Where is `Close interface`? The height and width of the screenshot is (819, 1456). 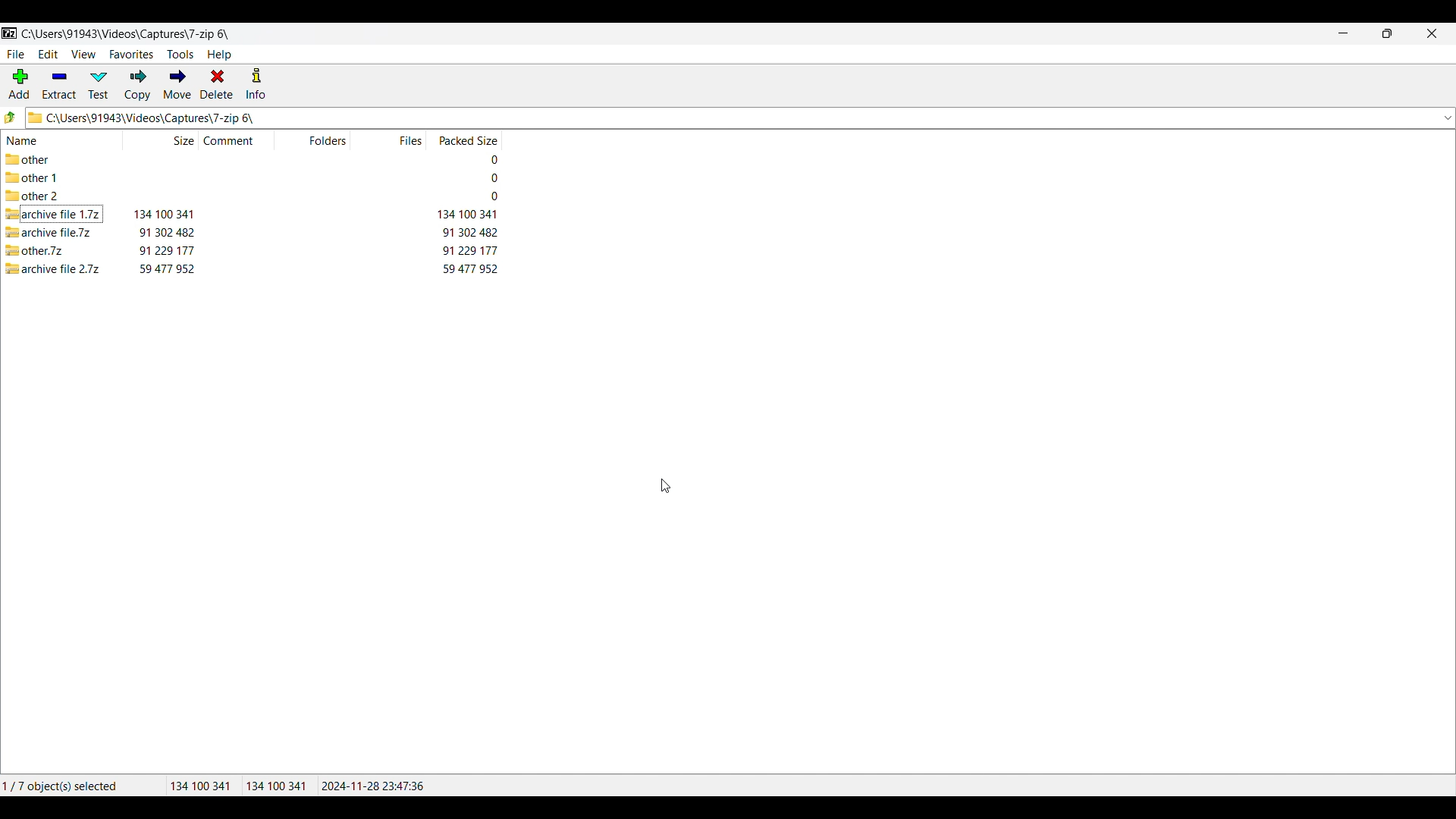 Close interface is located at coordinates (1432, 33).